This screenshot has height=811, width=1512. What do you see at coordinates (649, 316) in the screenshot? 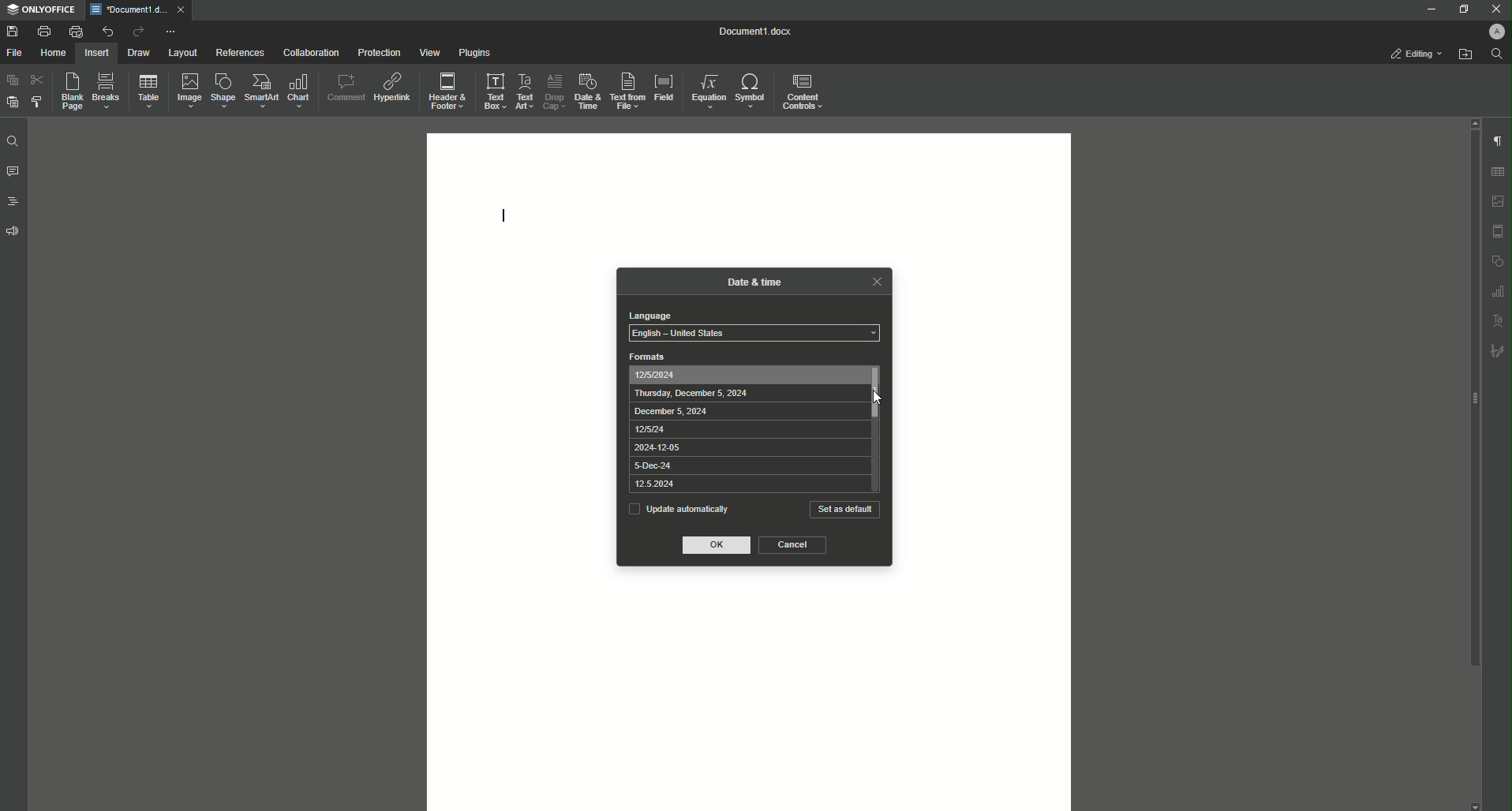
I see `language` at bounding box center [649, 316].